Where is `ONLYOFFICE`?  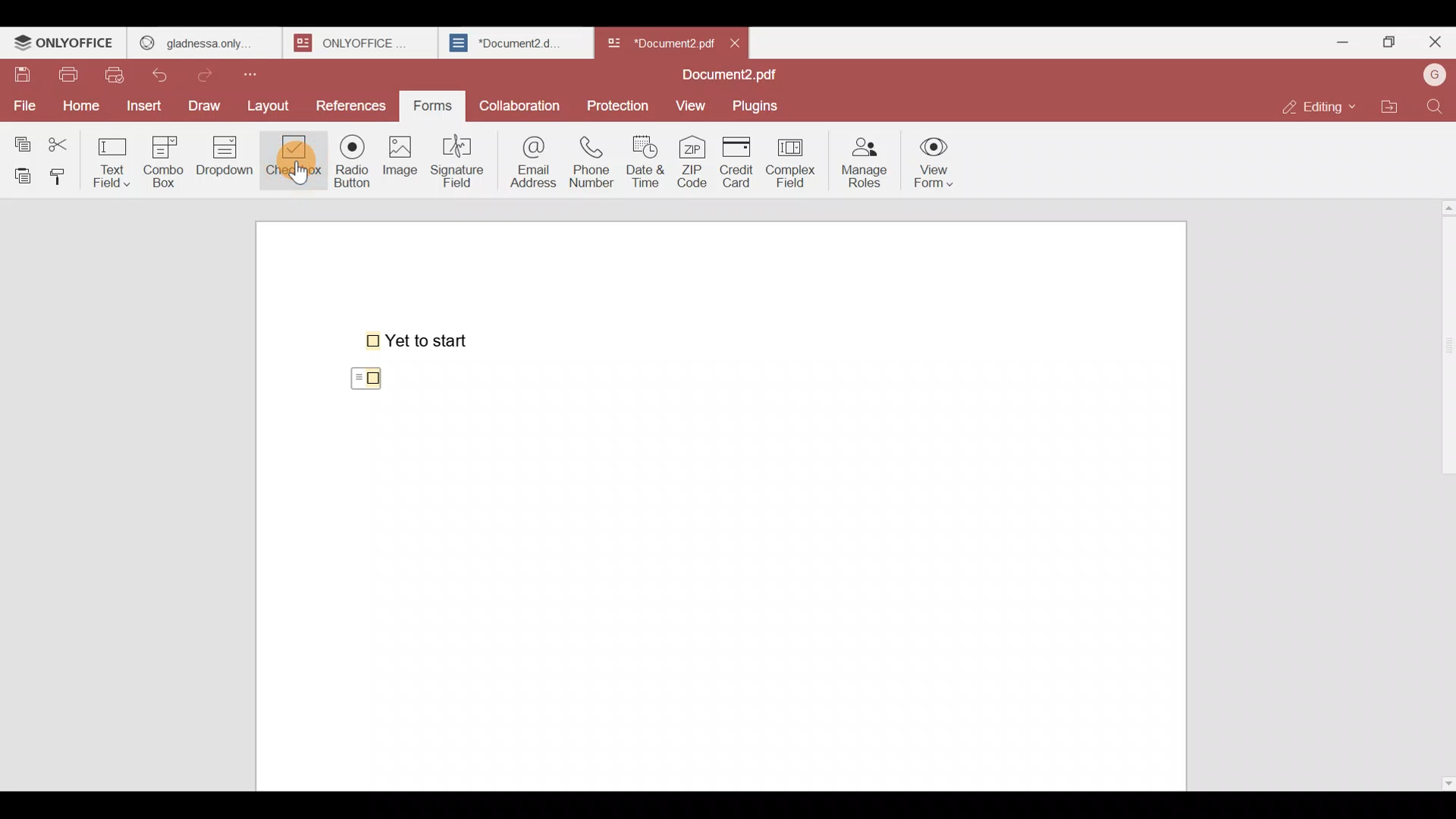 ONLYOFFICE is located at coordinates (64, 45).